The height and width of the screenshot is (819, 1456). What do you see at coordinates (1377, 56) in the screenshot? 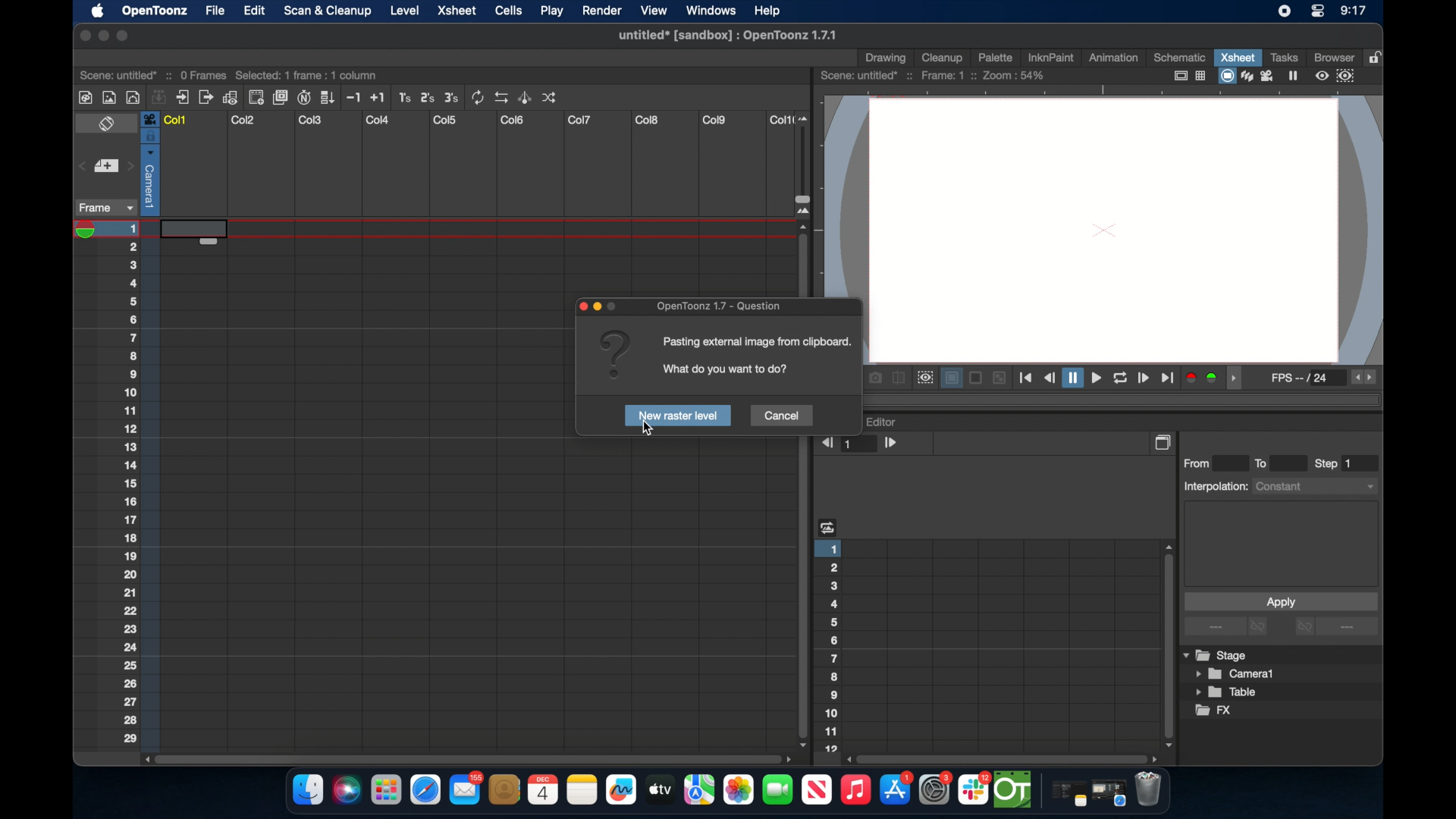
I see `lock` at bounding box center [1377, 56].